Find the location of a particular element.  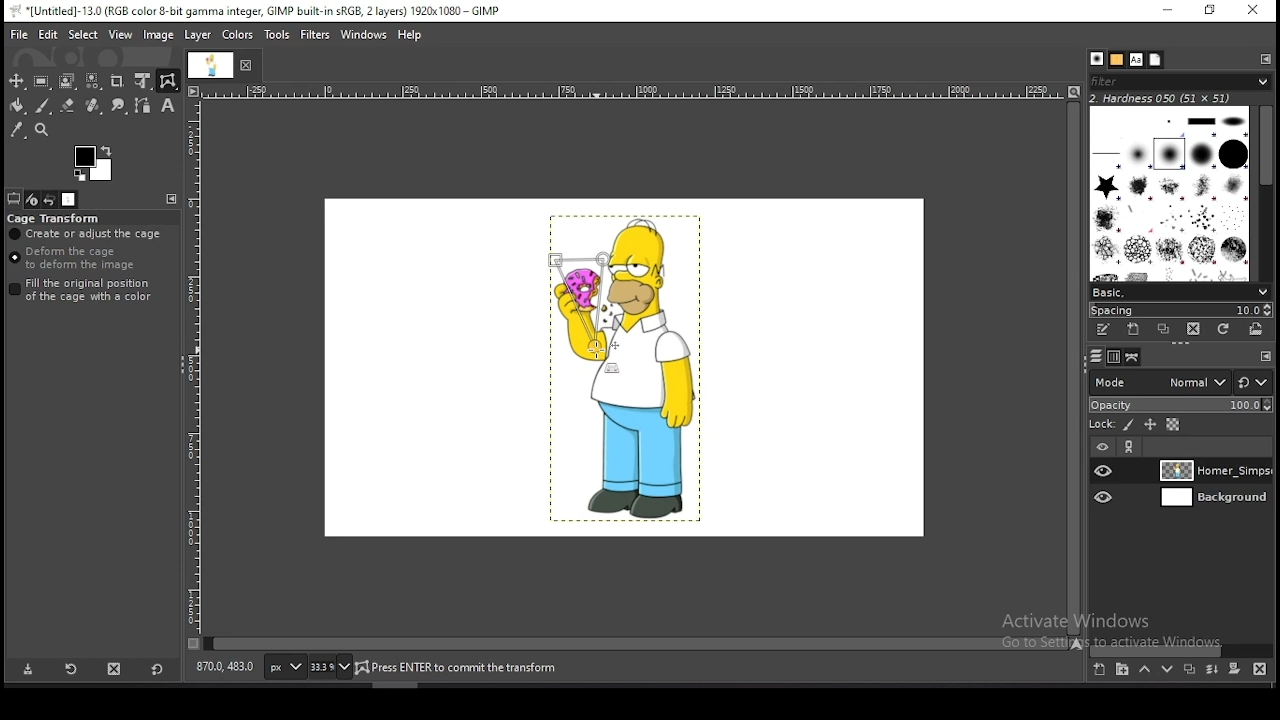

layers is located at coordinates (1093, 356).